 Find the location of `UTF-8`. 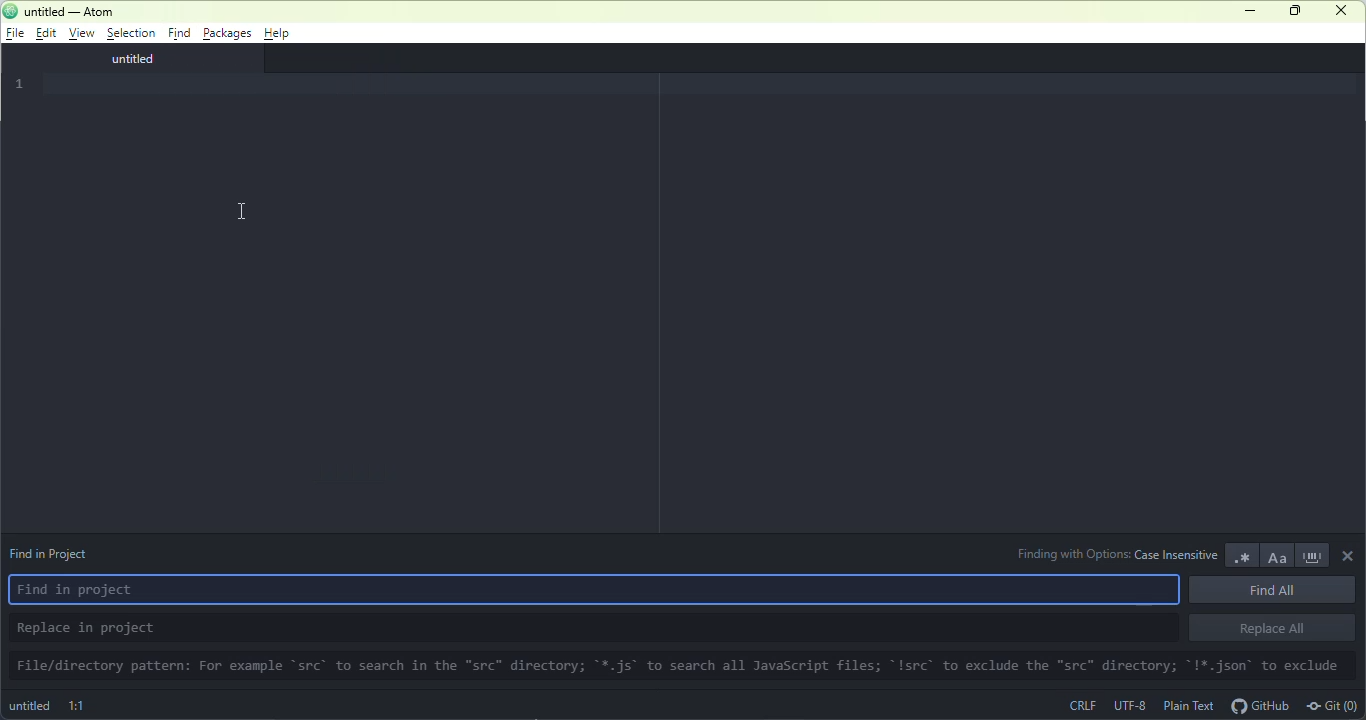

UTF-8 is located at coordinates (1128, 704).